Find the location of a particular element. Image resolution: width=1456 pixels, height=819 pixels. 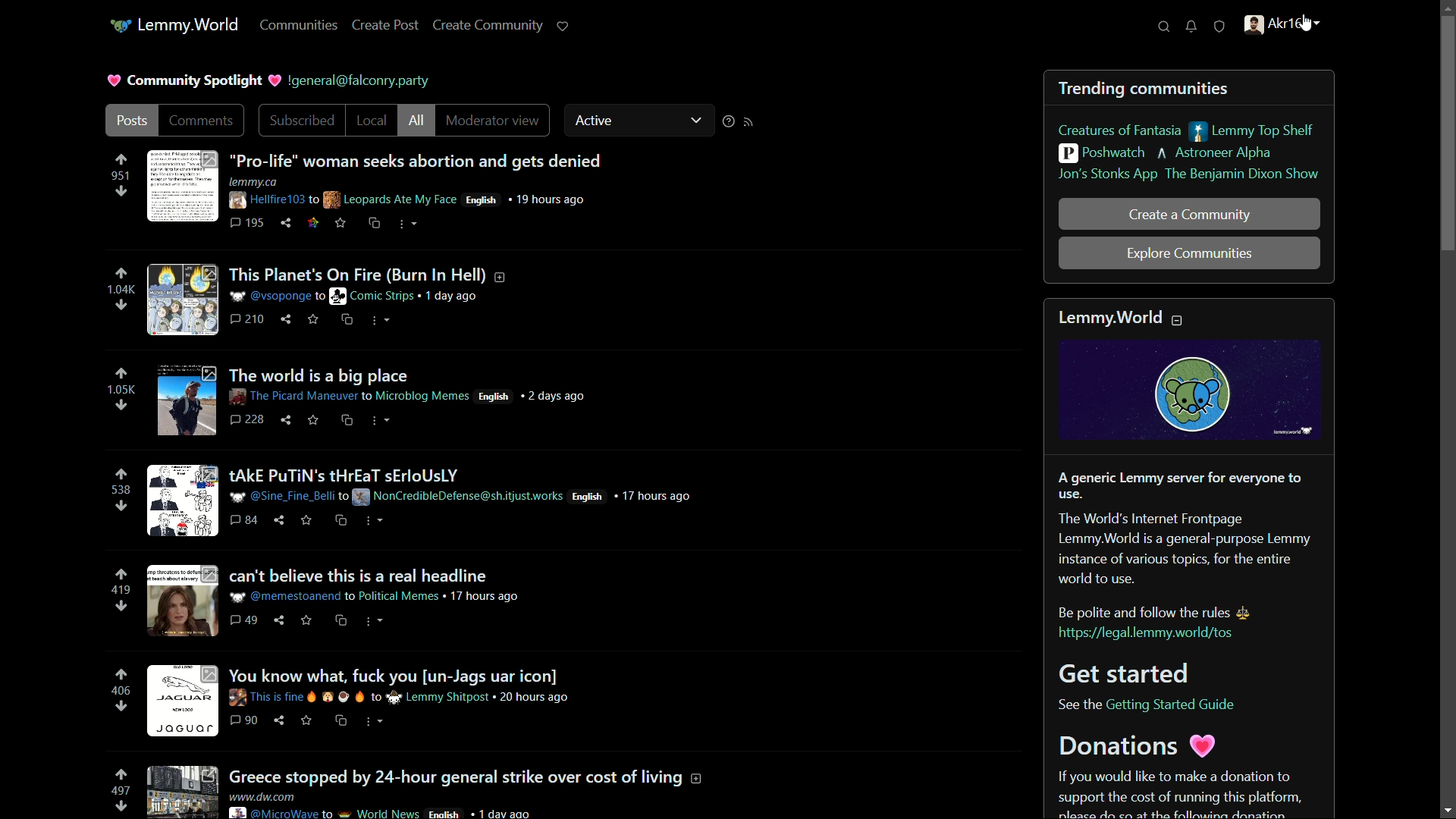

post-4 is located at coordinates (420, 498).